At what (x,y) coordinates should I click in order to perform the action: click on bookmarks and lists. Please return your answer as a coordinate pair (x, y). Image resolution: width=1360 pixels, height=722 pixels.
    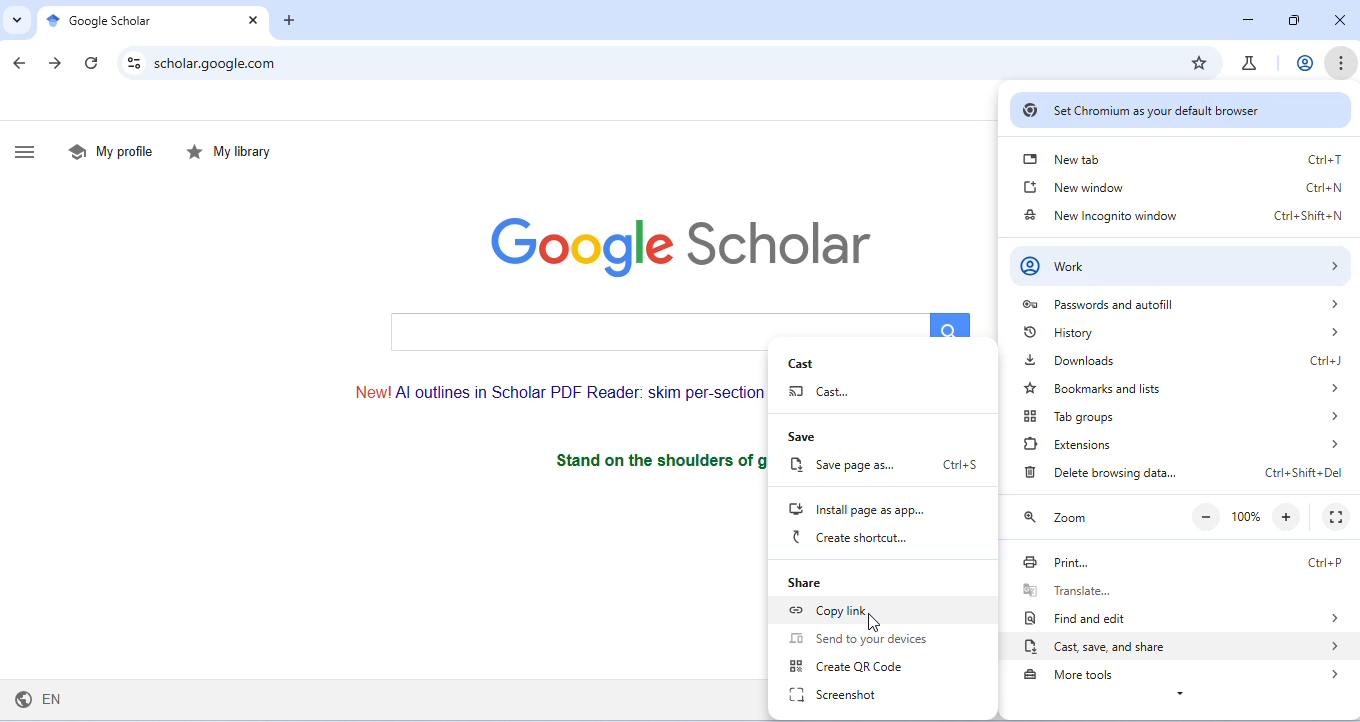
    Looking at the image, I should click on (1189, 387).